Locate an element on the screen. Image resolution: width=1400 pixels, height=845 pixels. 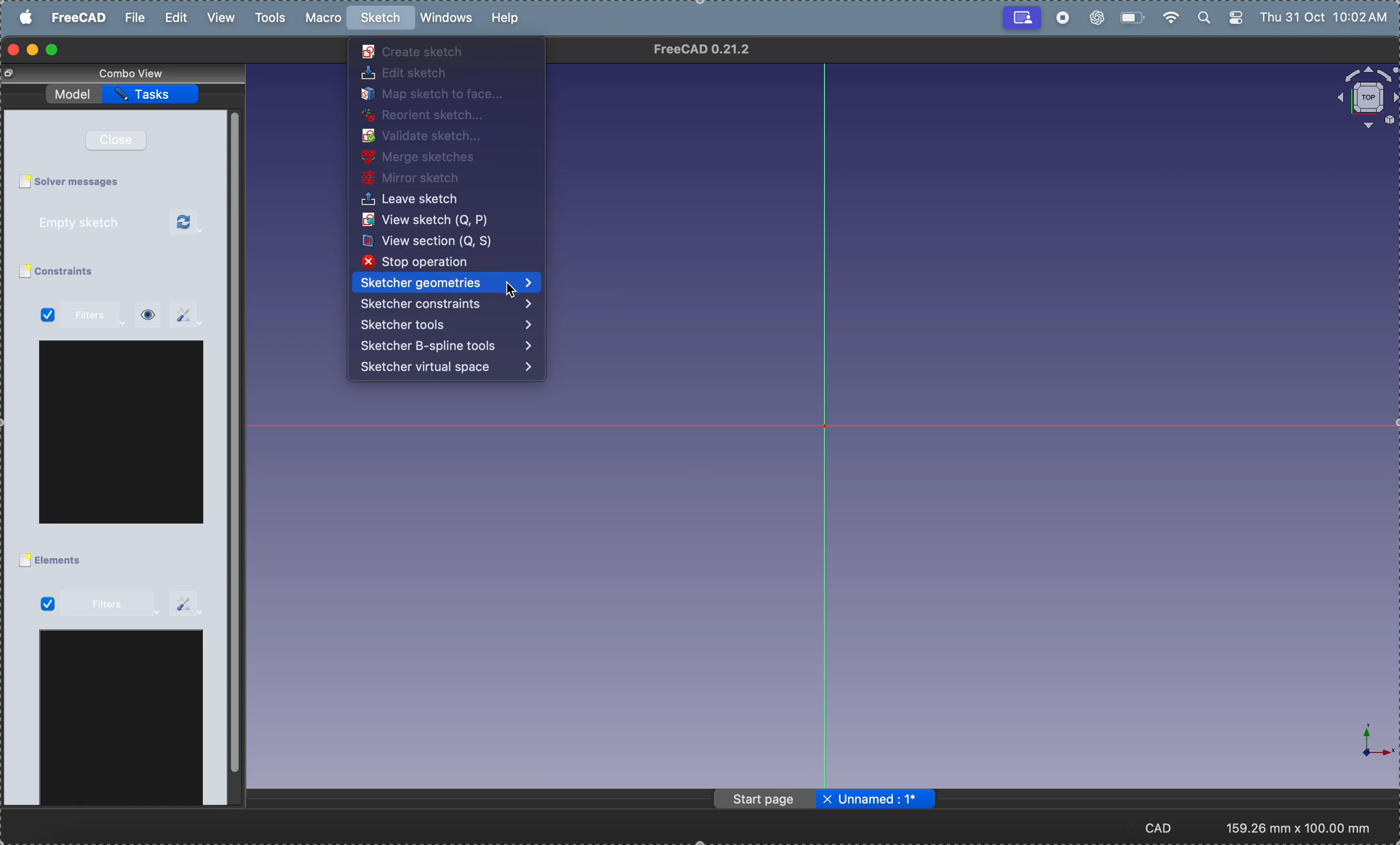
FreeCAD 0.21.2 is located at coordinates (703, 49).